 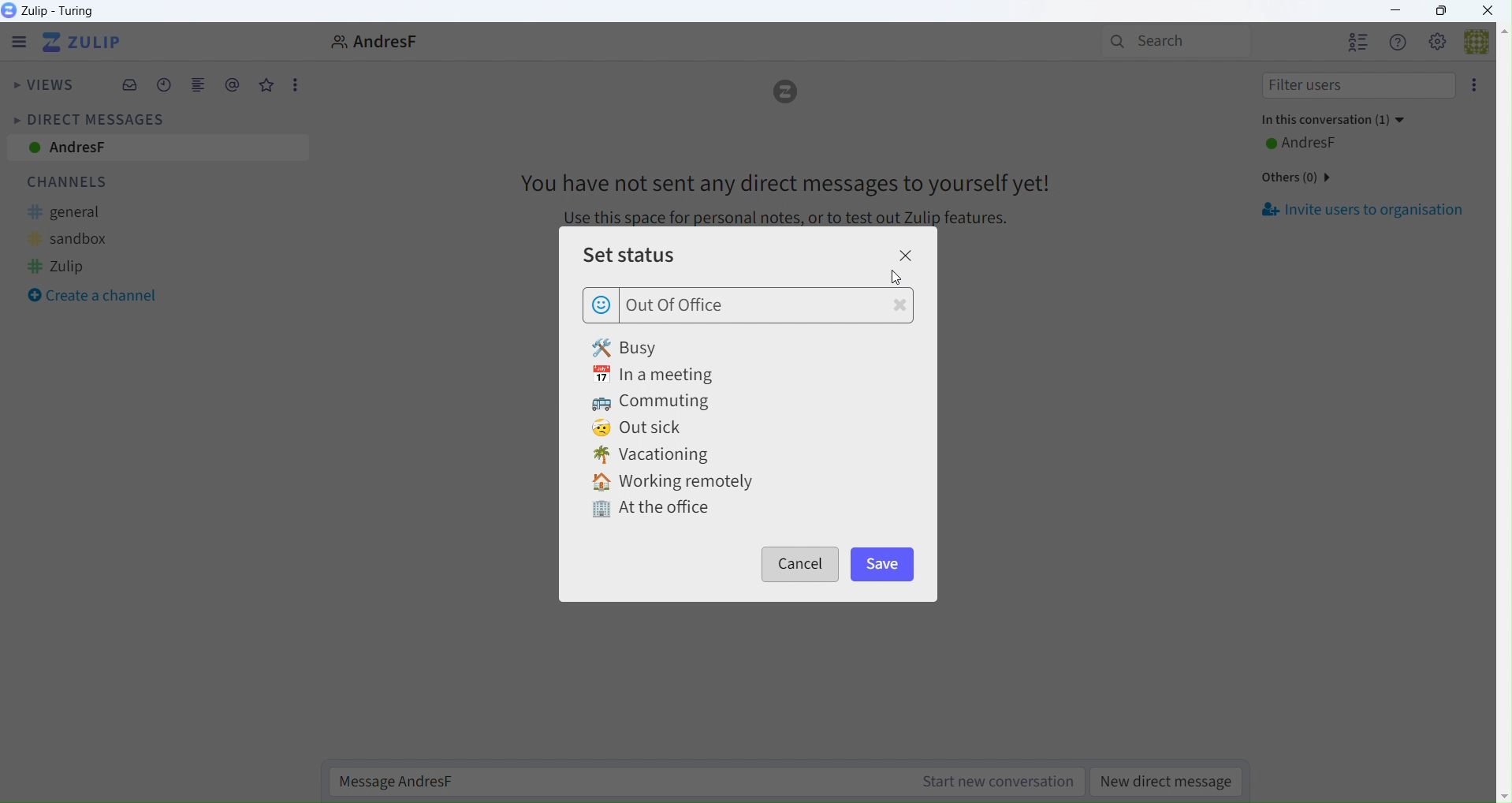 I want to click on clear, so click(x=899, y=308).